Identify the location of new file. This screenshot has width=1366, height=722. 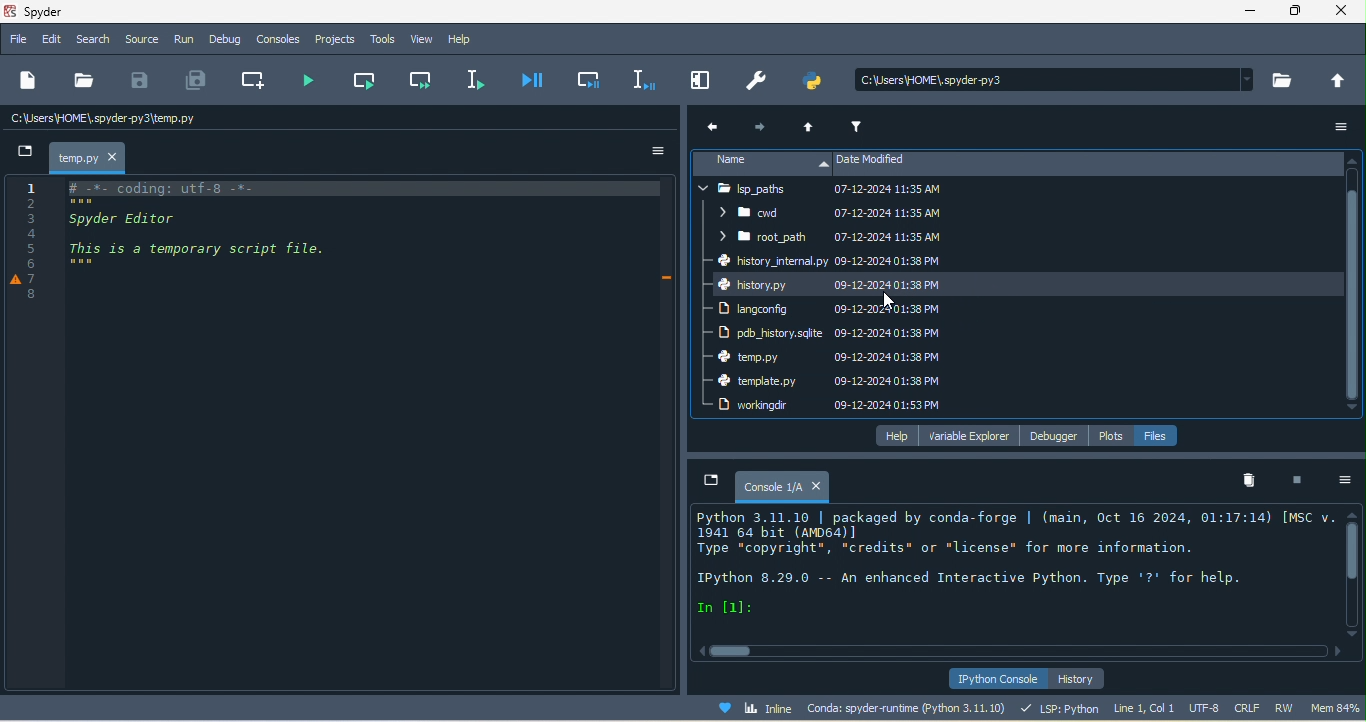
(25, 151).